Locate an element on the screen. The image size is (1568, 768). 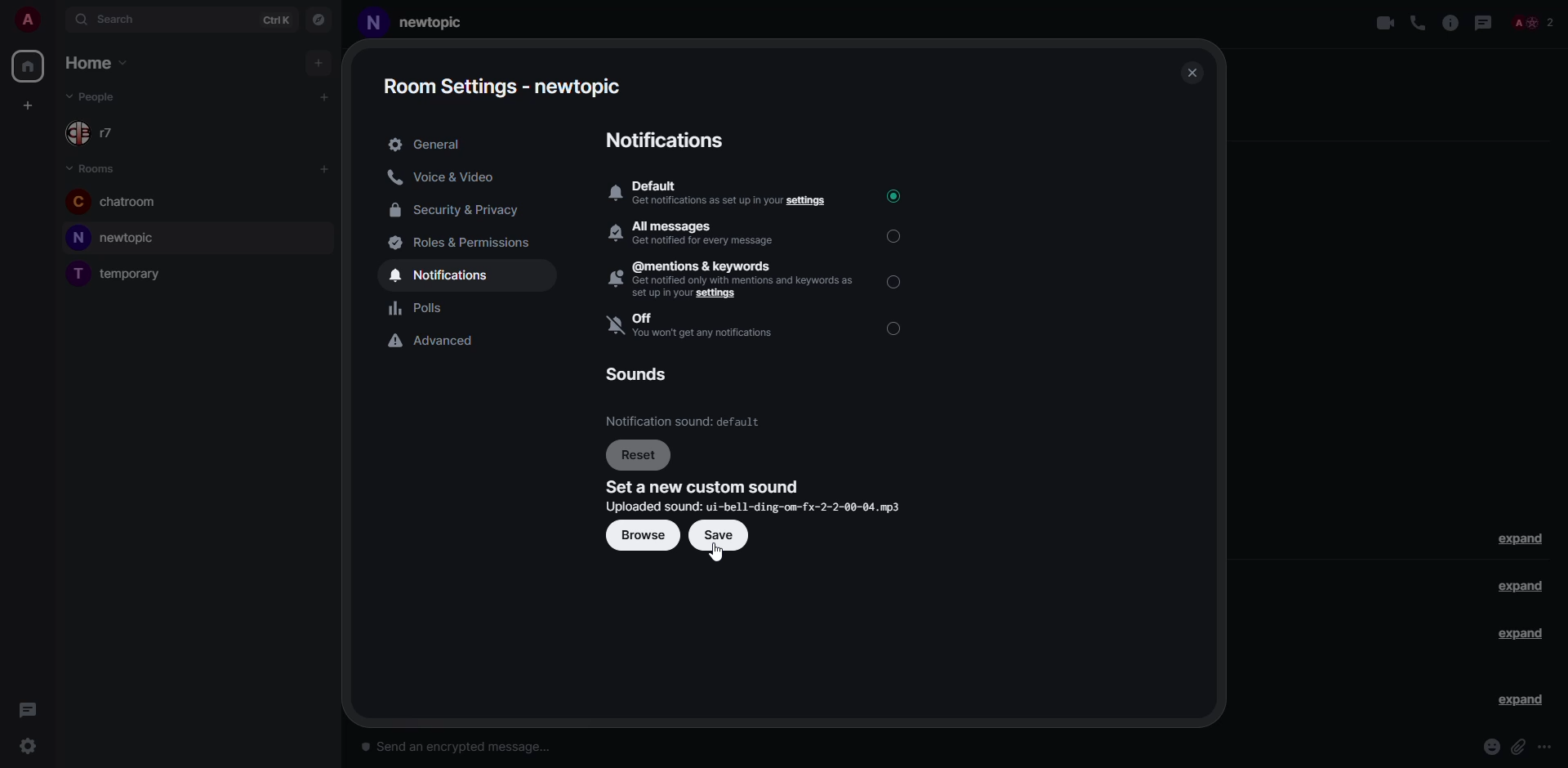
polls is located at coordinates (426, 308).